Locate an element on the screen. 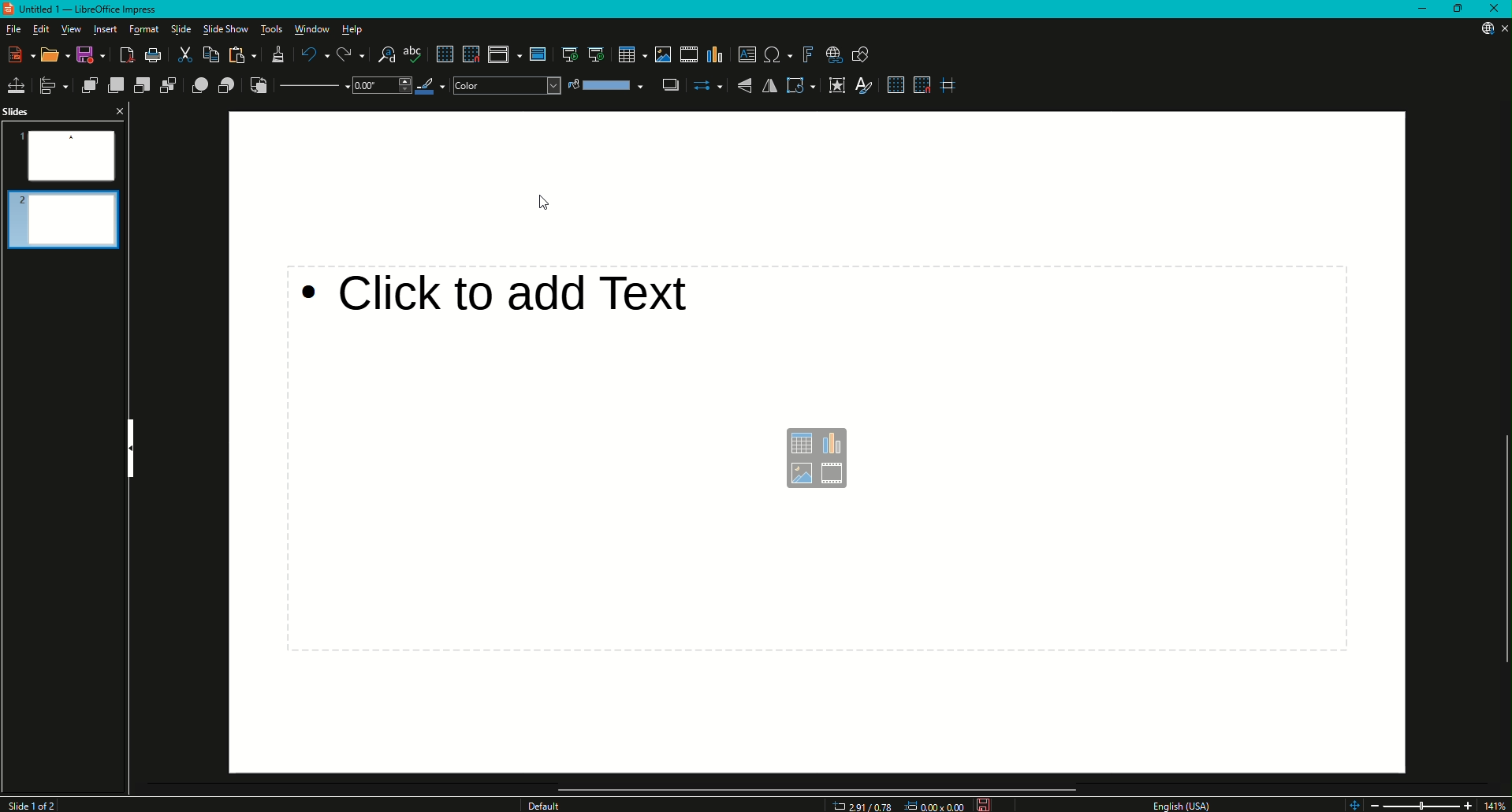 The height and width of the screenshot is (812, 1512). Insert Fontwork Text is located at coordinates (807, 54).